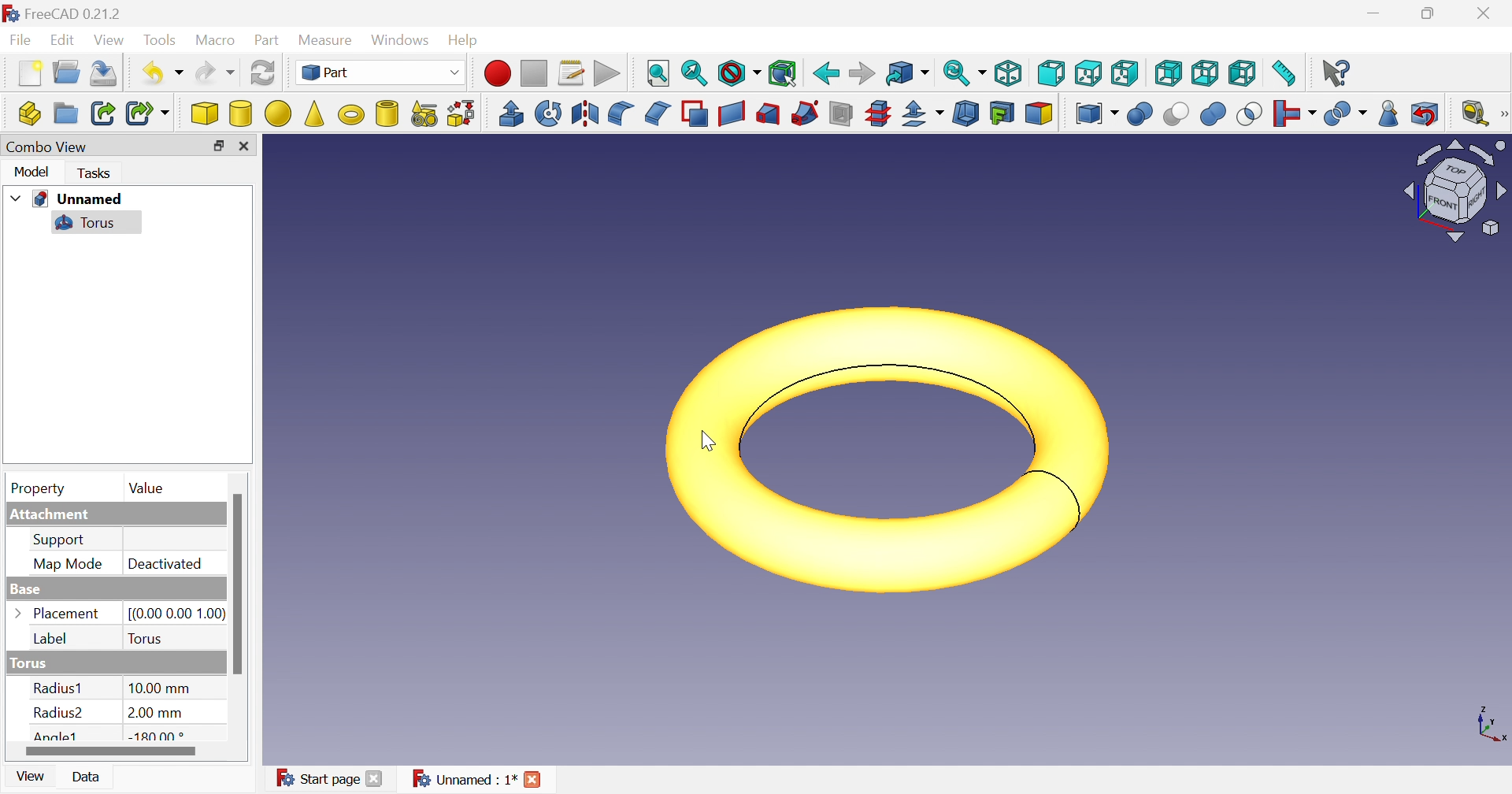  Describe the element at coordinates (1293, 114) in the screenshot. I see `Join objects` at that location.